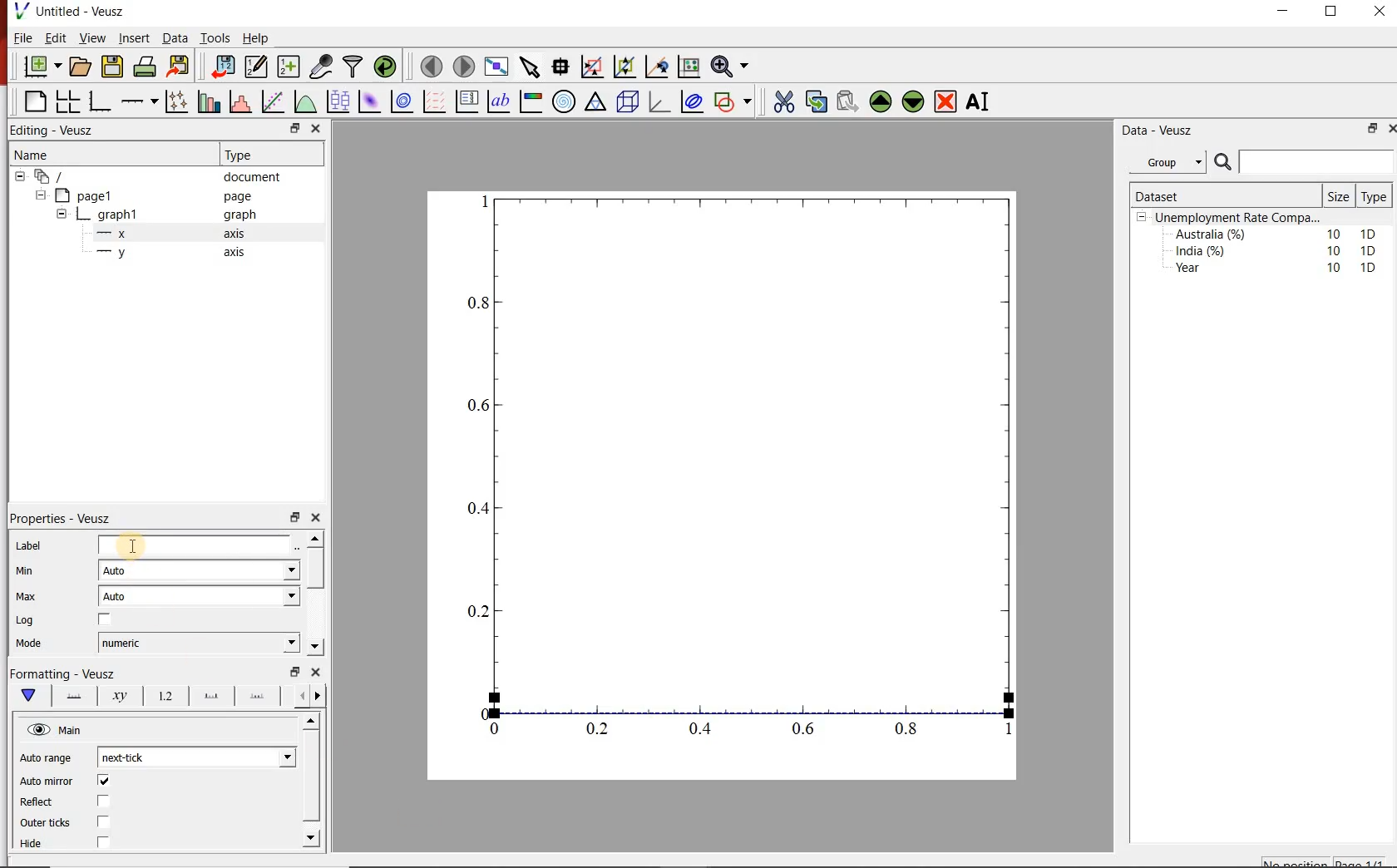 This screenshot has width=1397, height=868. I want to click on checkbox, so click(106, 619).